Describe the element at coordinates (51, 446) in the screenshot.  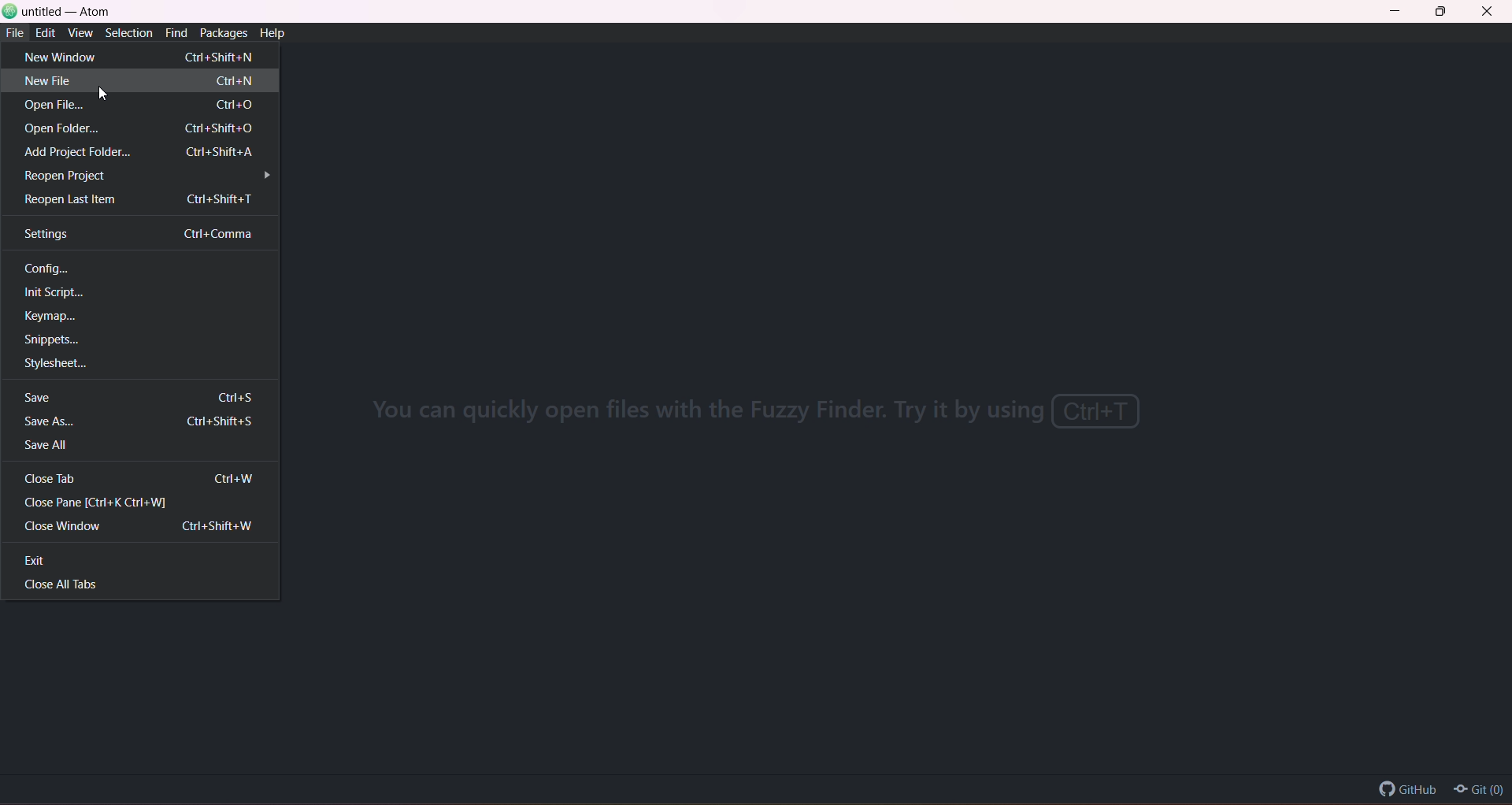
I see `Save All` at that location.